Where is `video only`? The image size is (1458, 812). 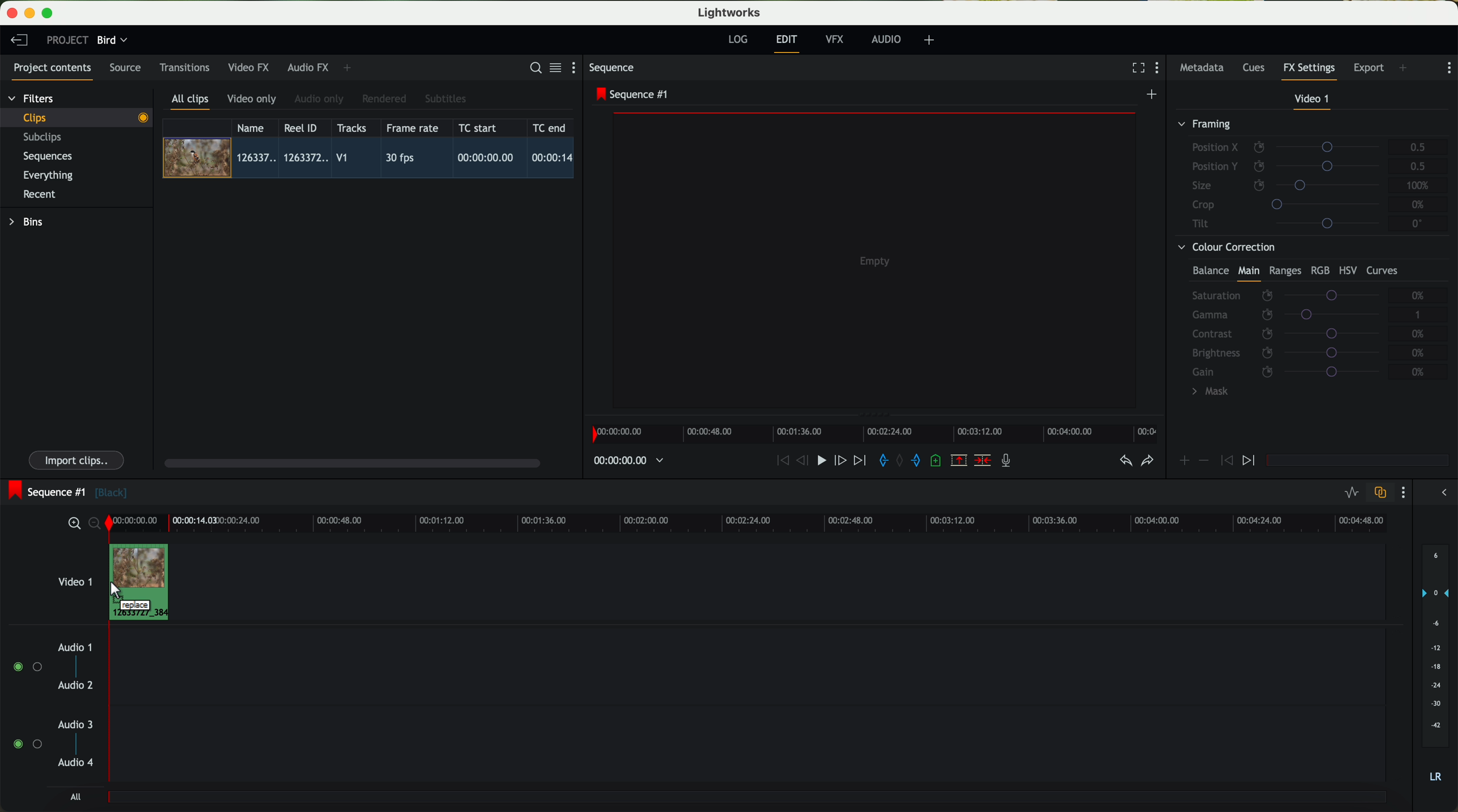 video only is located at coordinates (251, 100).